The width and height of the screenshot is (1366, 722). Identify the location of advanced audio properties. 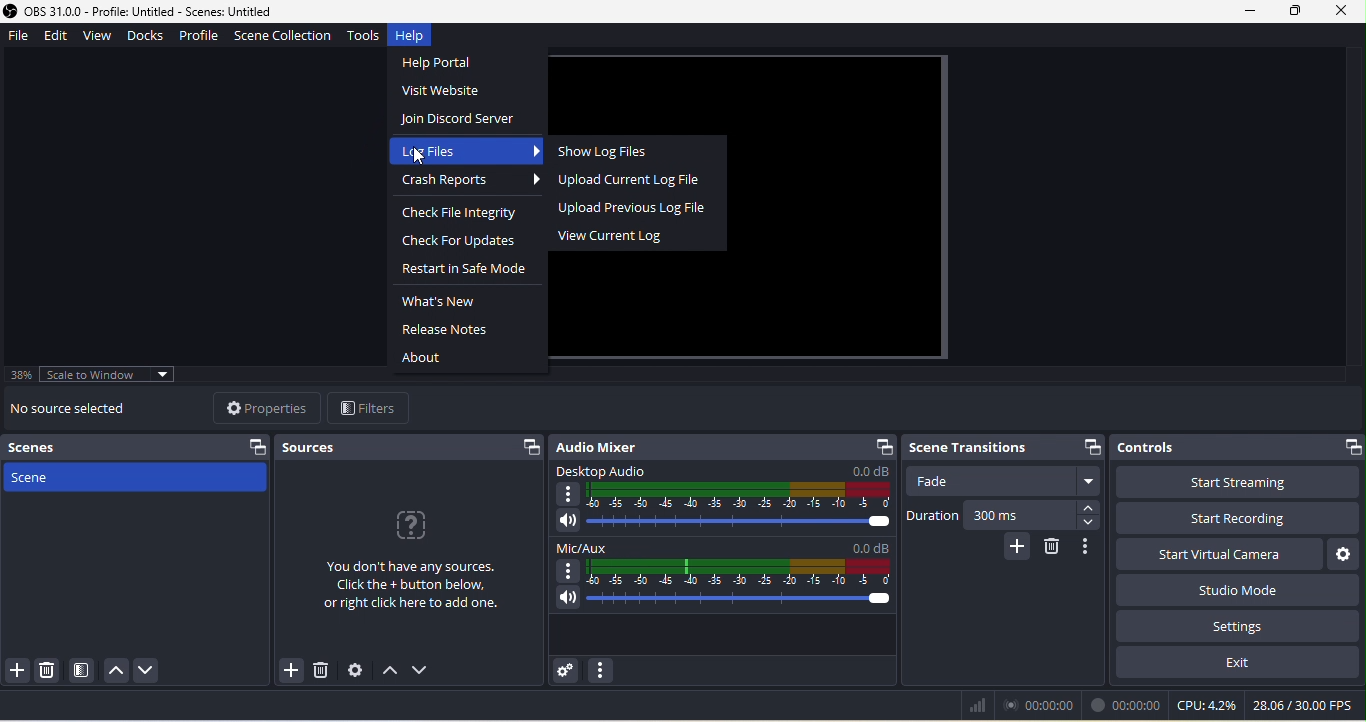
(568, 670).